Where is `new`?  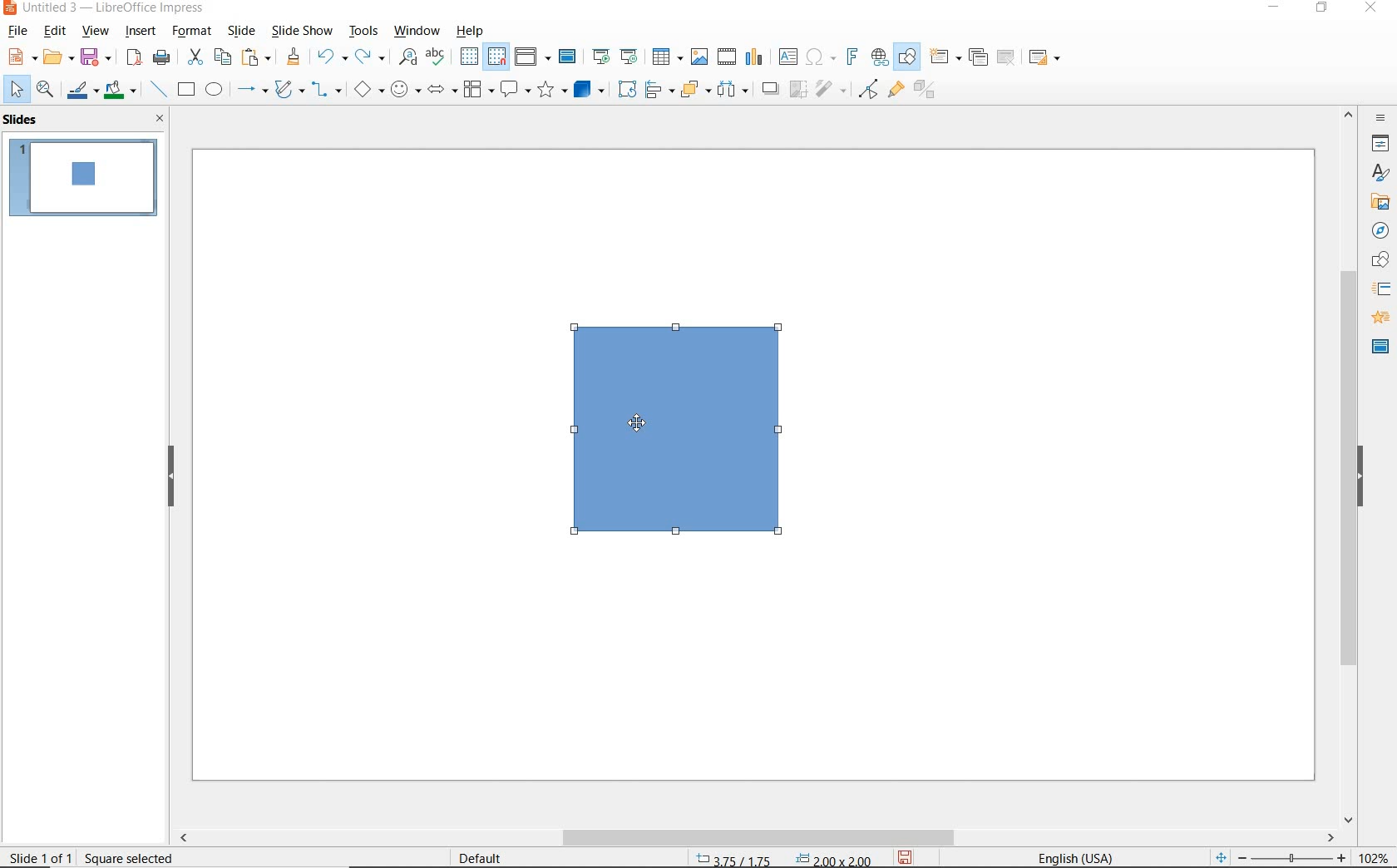
new is located at coordinates (15, 59).